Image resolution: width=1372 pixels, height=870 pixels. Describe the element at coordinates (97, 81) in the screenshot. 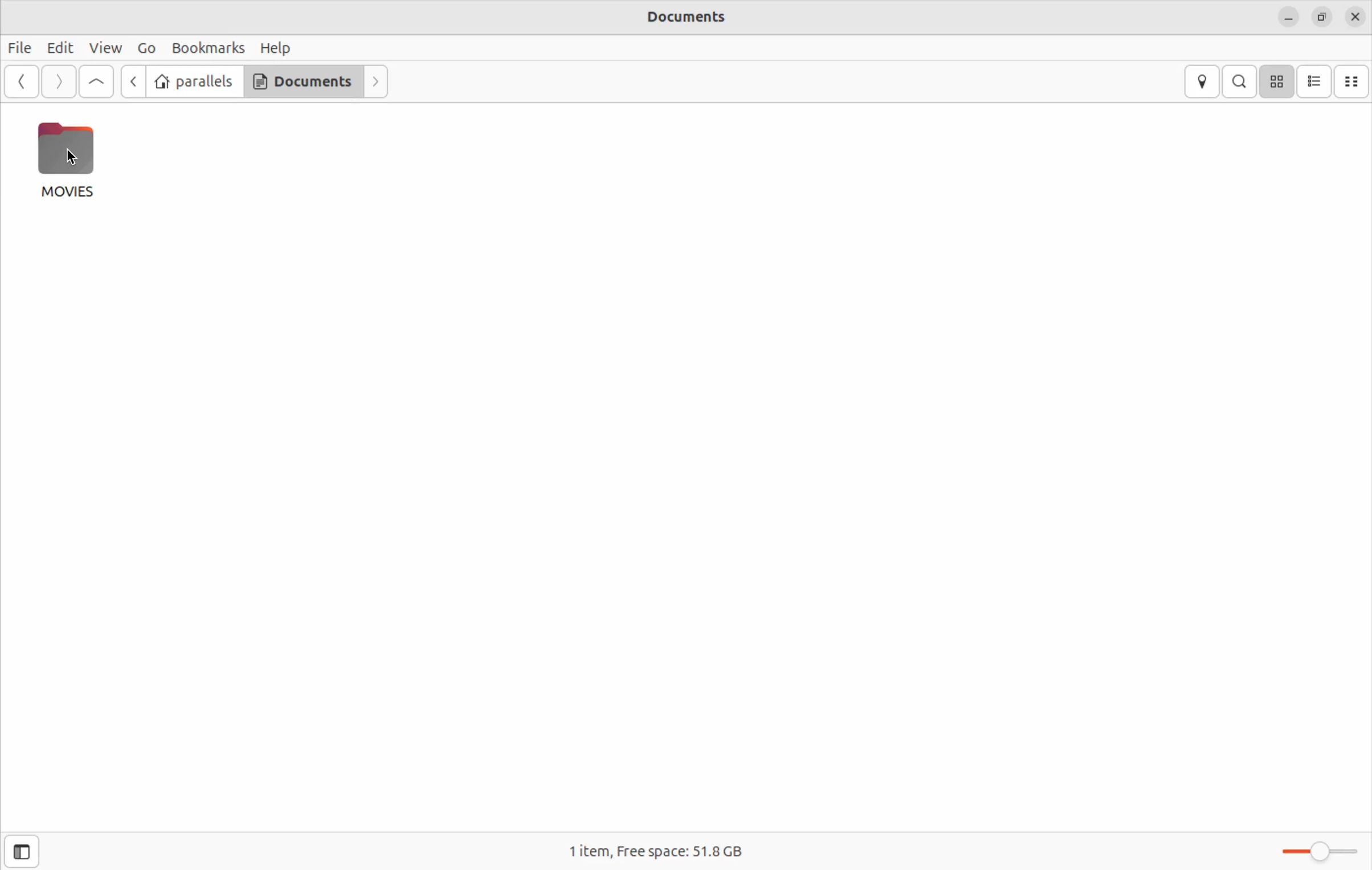

I see `got first` at that location.